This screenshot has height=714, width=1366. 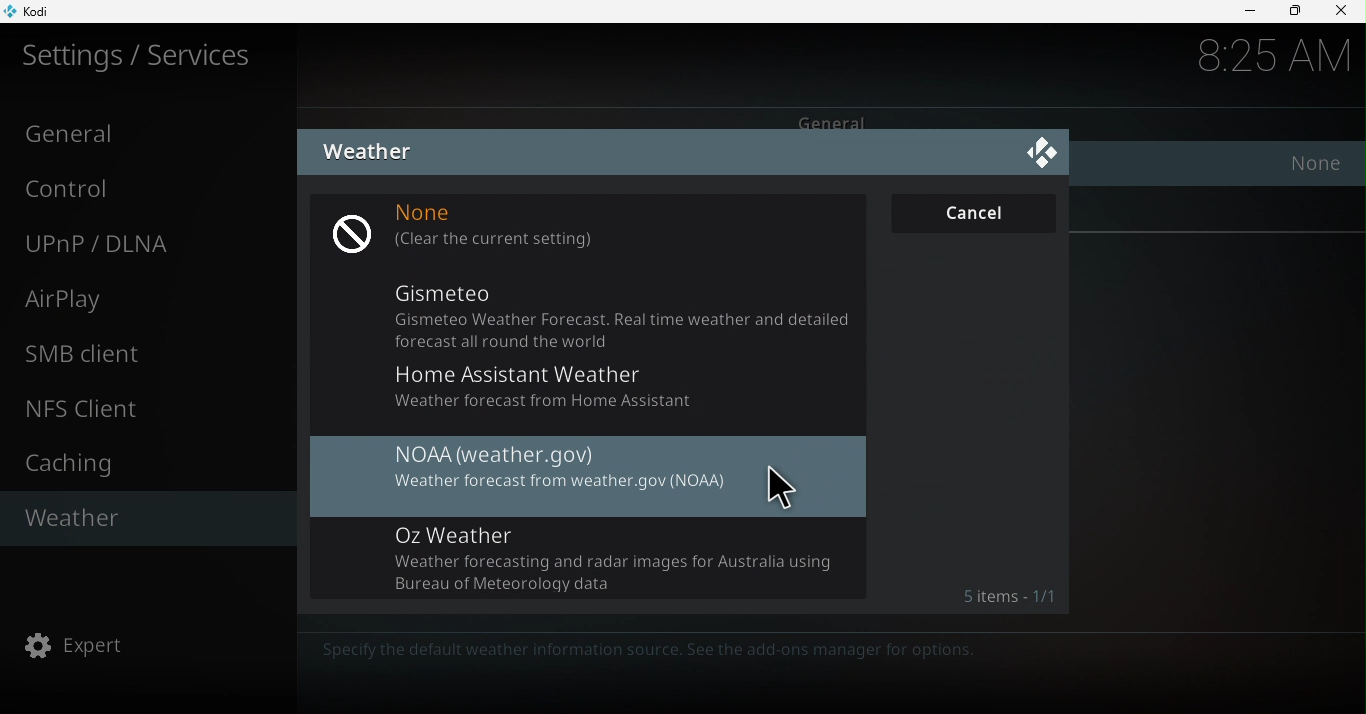 I want to click on Weather, so click(x=141, y=517).